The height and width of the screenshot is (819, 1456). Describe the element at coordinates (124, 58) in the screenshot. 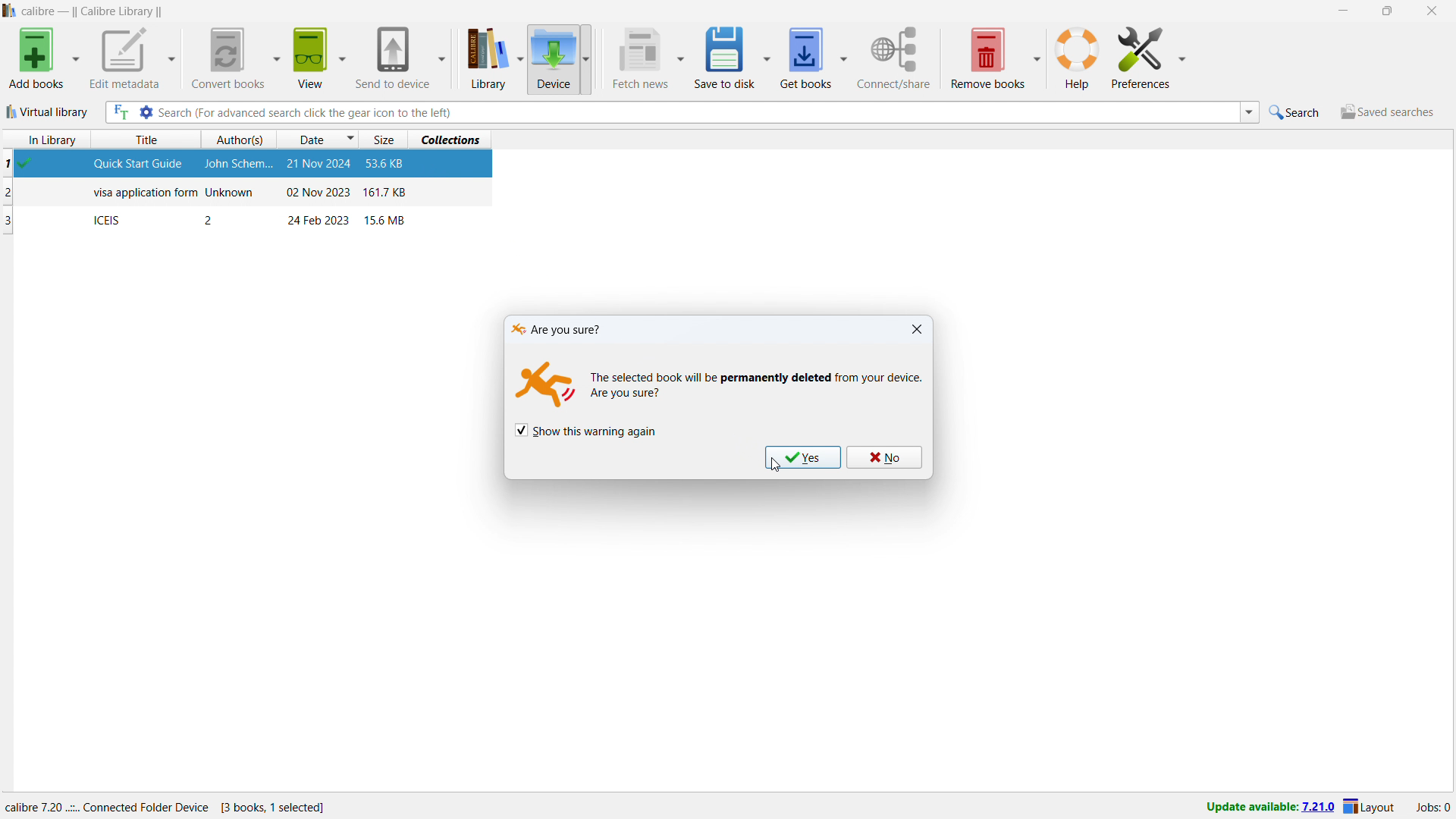

I see `edit metadata` at that location.